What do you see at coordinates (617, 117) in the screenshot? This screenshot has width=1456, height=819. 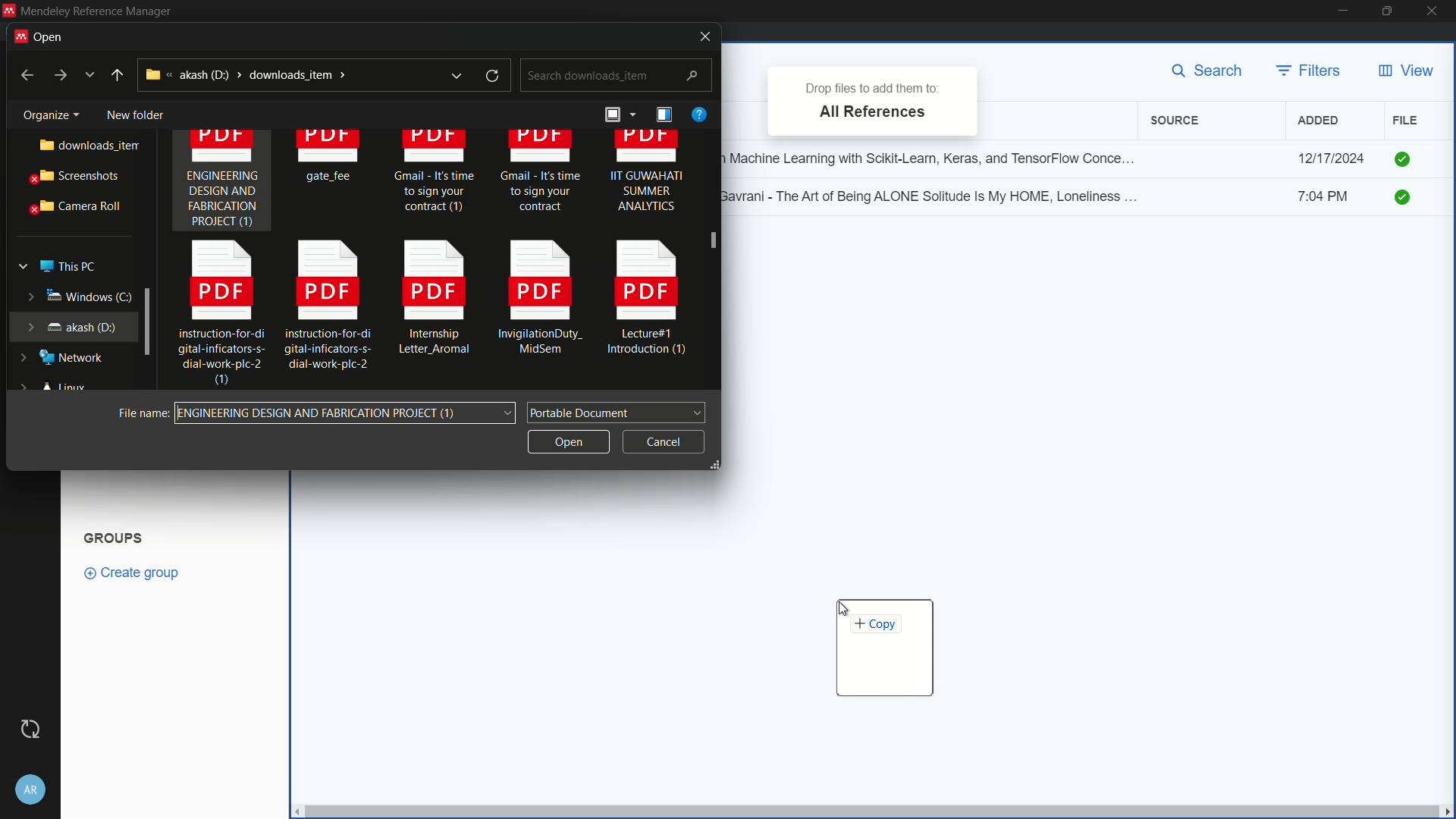 I see `arrange` at bounding box center [617, 117].